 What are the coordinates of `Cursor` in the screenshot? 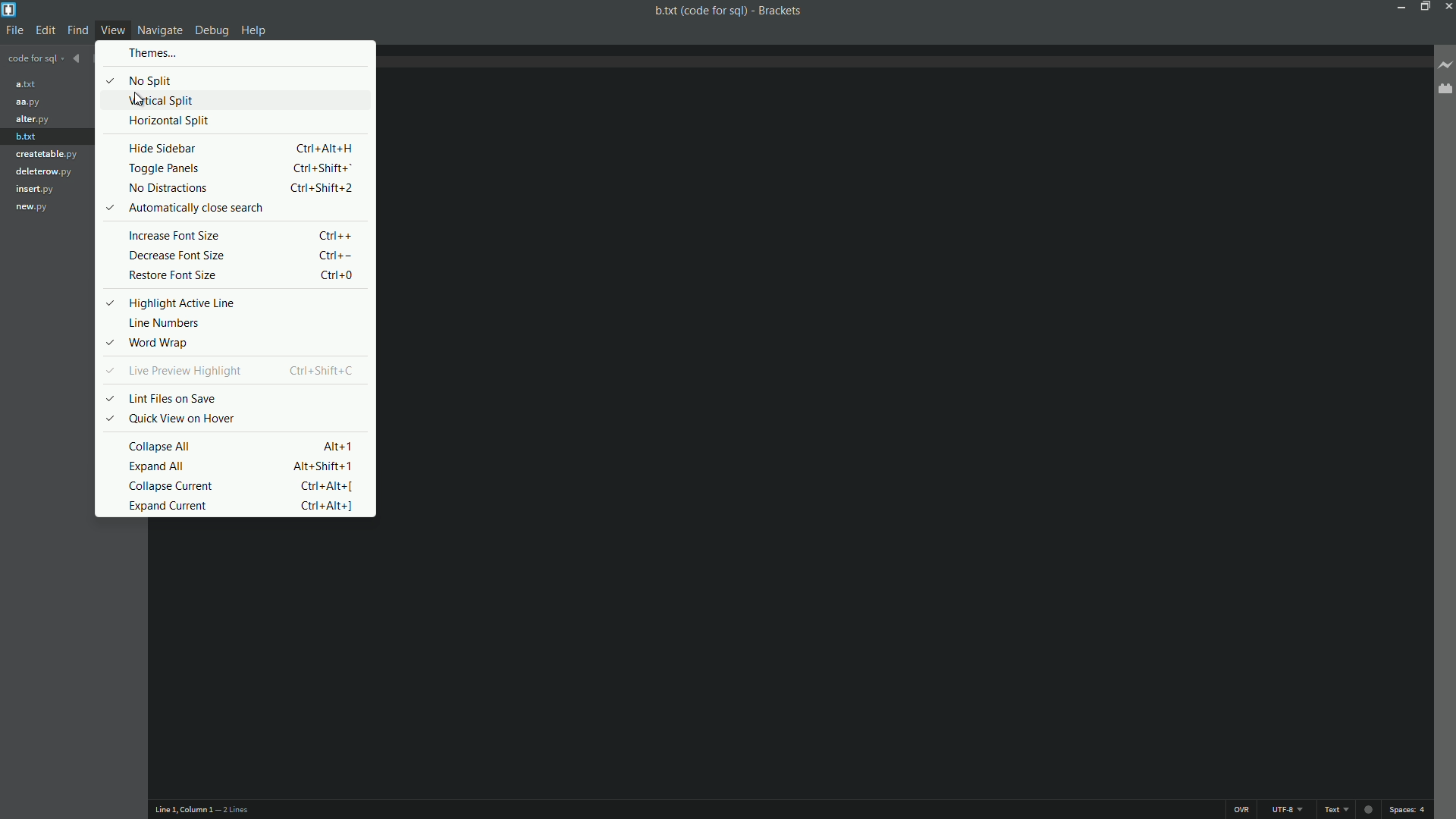 It's located at (146, 100).